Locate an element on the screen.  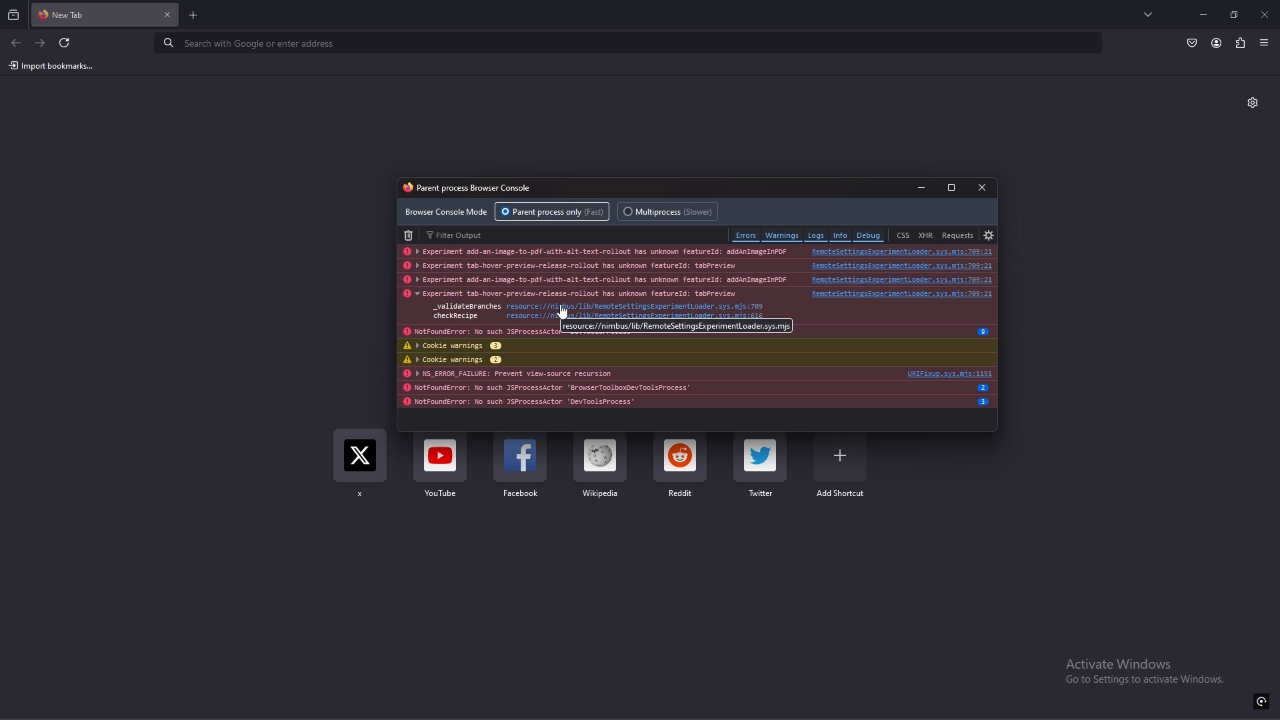
log is located at coordinates (589, 387).